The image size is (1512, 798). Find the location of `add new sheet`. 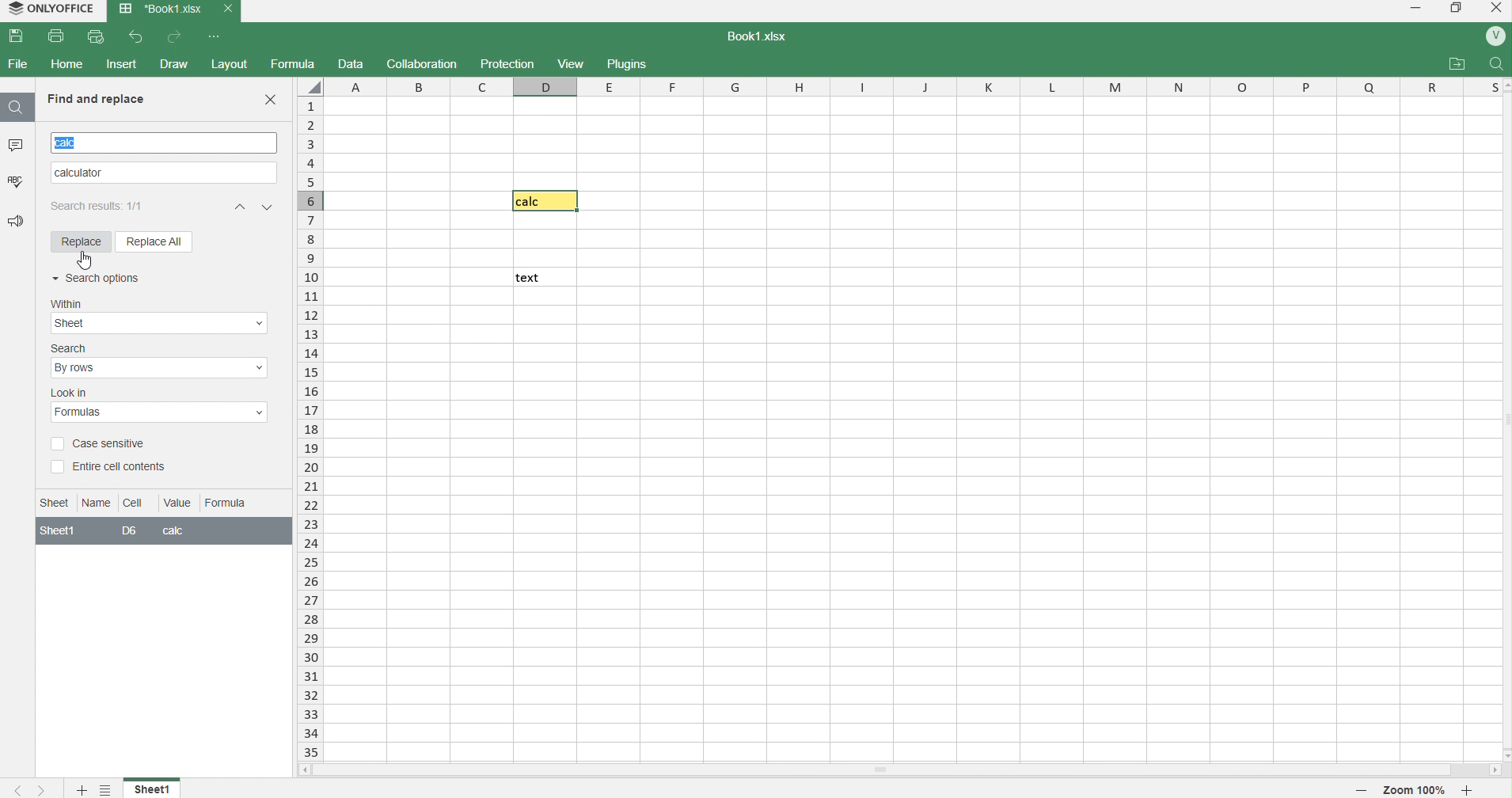

add new sheet is located at coordinates (79, 787).